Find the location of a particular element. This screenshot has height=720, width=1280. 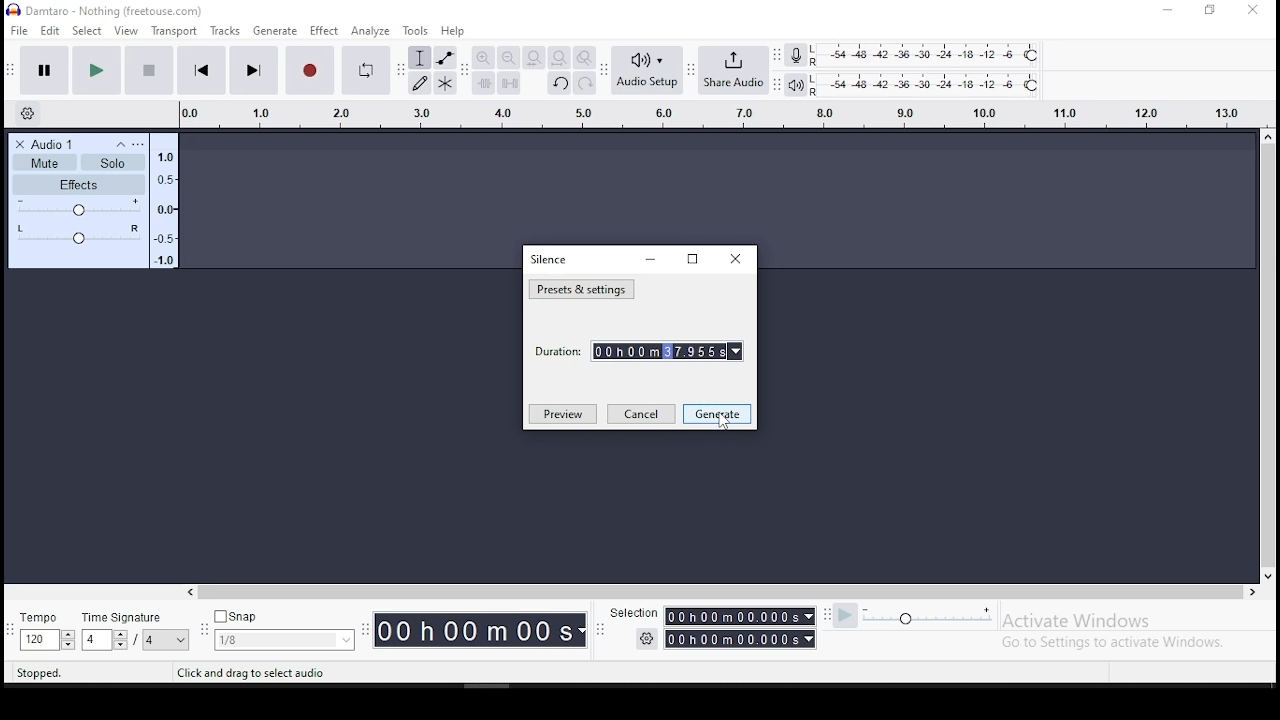

playback speed is located at coordinates (925, 619).